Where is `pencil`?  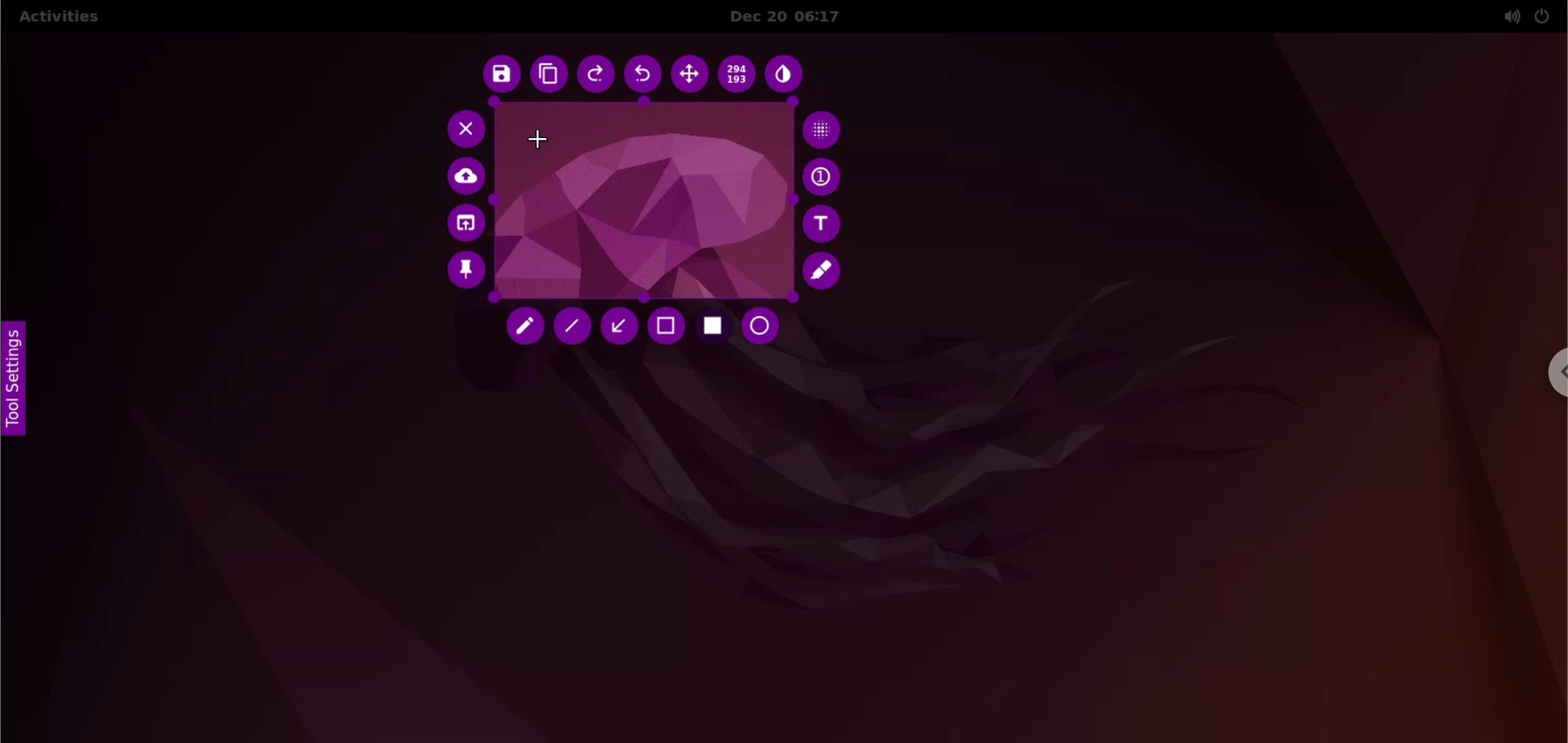
pencil is located at coordinates (528, 329).